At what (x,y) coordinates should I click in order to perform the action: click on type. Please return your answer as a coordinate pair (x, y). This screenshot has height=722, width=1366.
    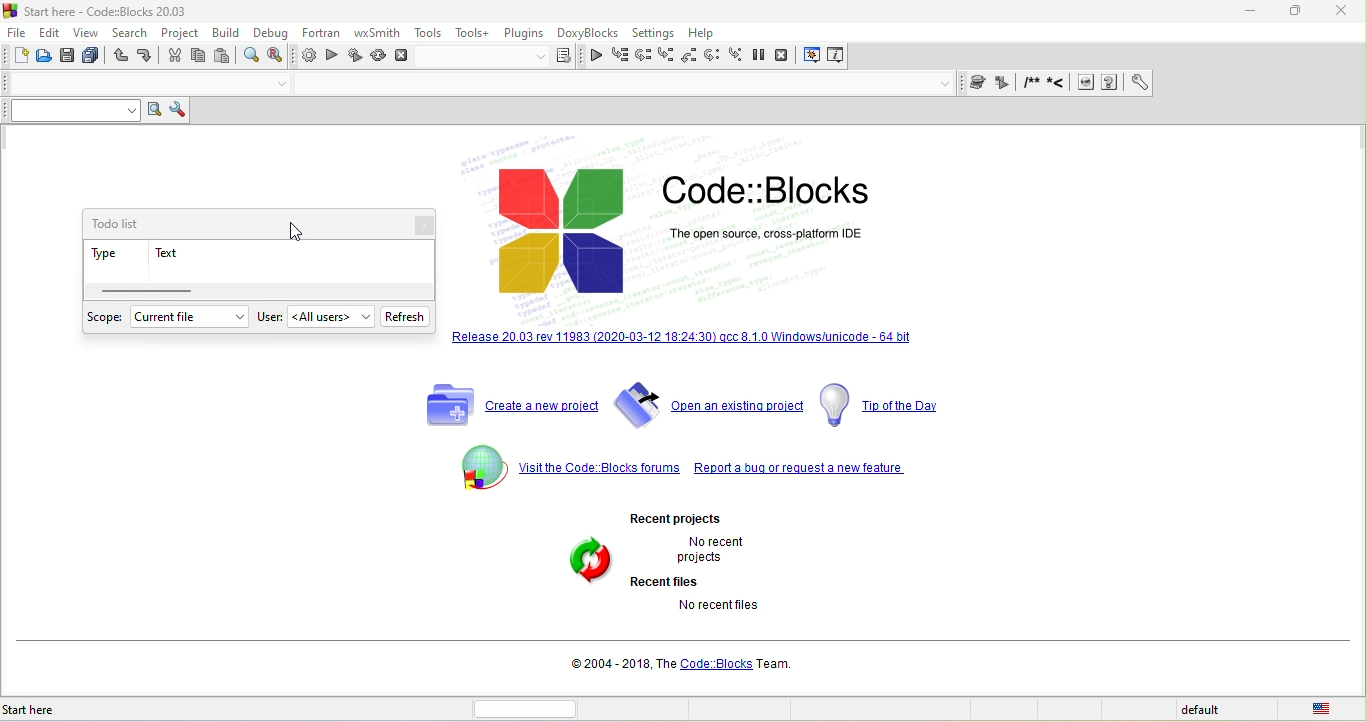
    Looking at the image, I should click on (107, 256).